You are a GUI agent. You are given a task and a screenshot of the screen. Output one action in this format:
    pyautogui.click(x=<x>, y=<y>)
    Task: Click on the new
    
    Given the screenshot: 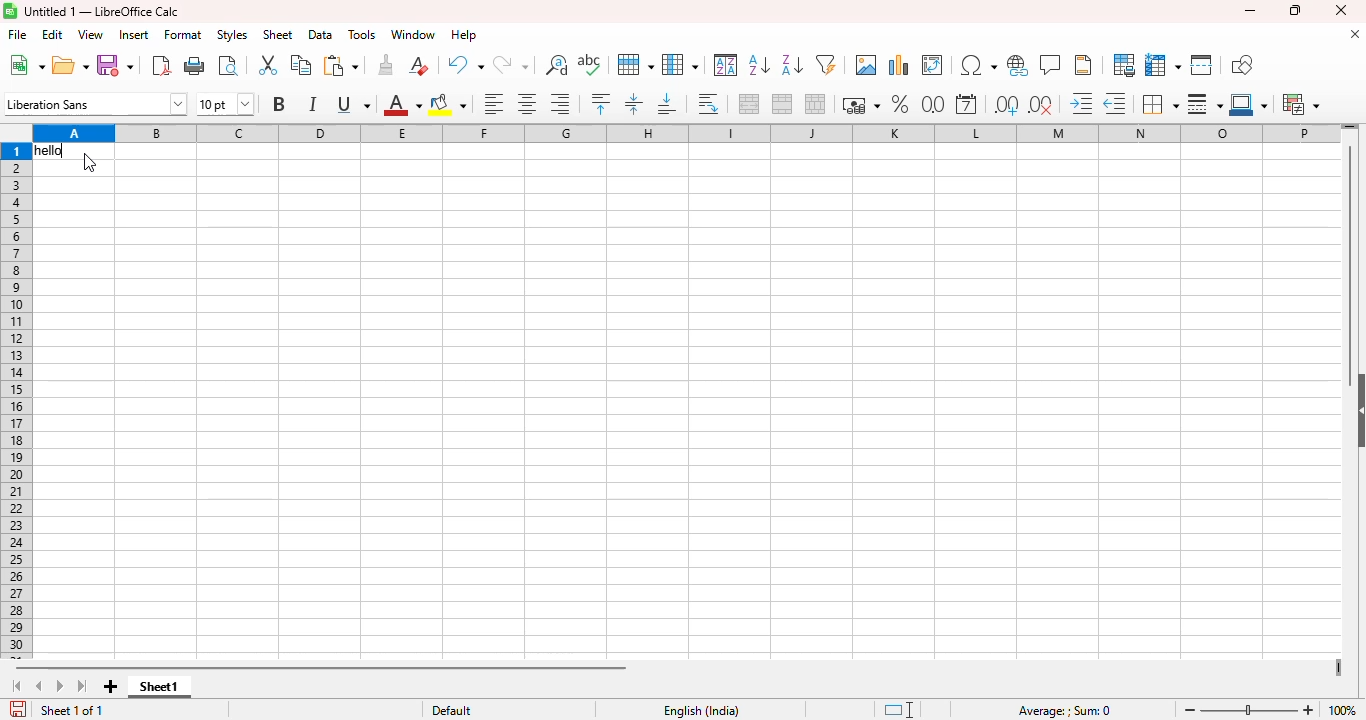 What is the action you would take?
    pyautogui.click(x=26, y=64)
    